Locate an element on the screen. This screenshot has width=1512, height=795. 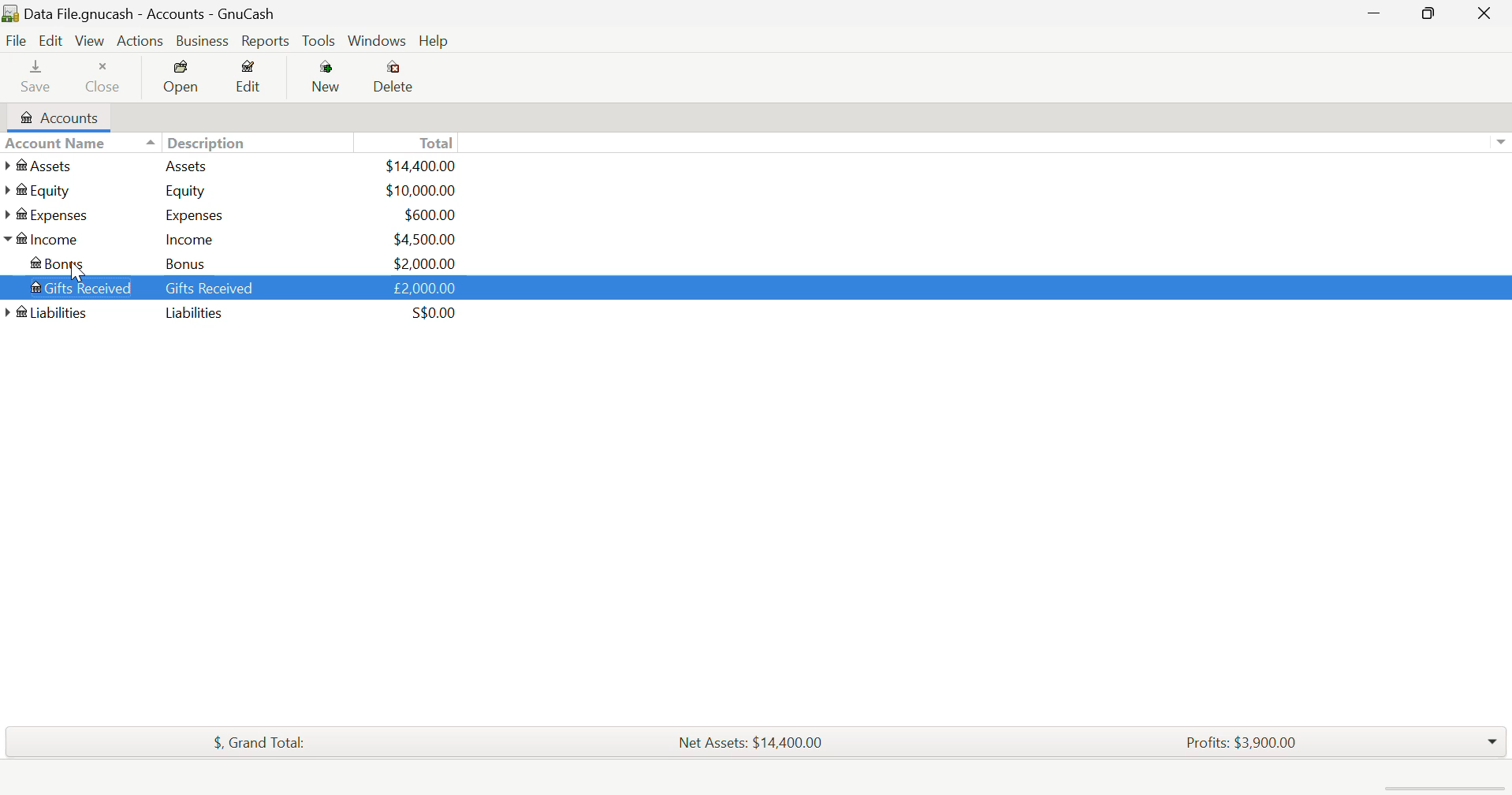
Gifts Received is located at coordinates (210, 289).